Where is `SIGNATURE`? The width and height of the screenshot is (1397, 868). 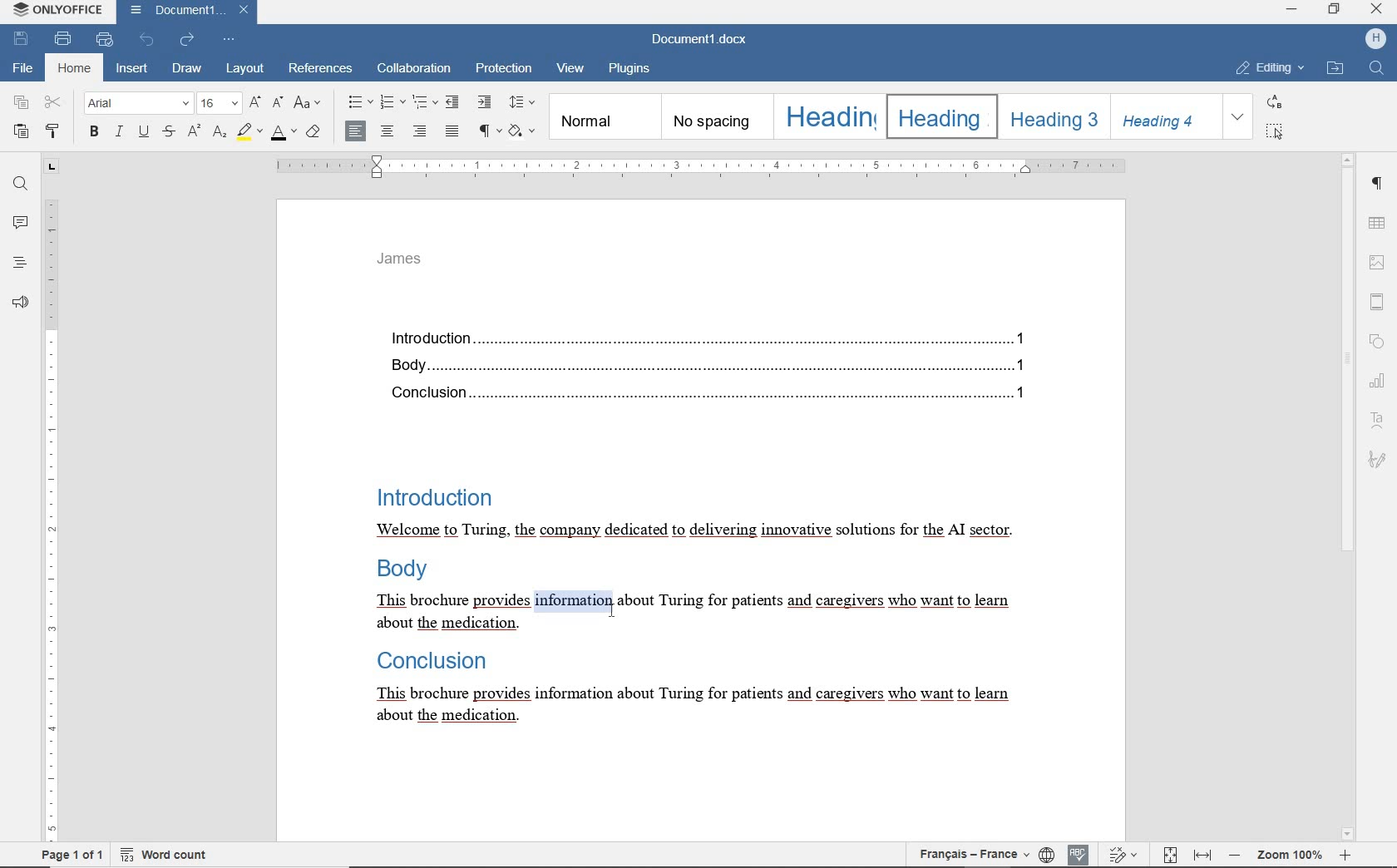 SIGNATURE is located at coordinates (1380, 462).